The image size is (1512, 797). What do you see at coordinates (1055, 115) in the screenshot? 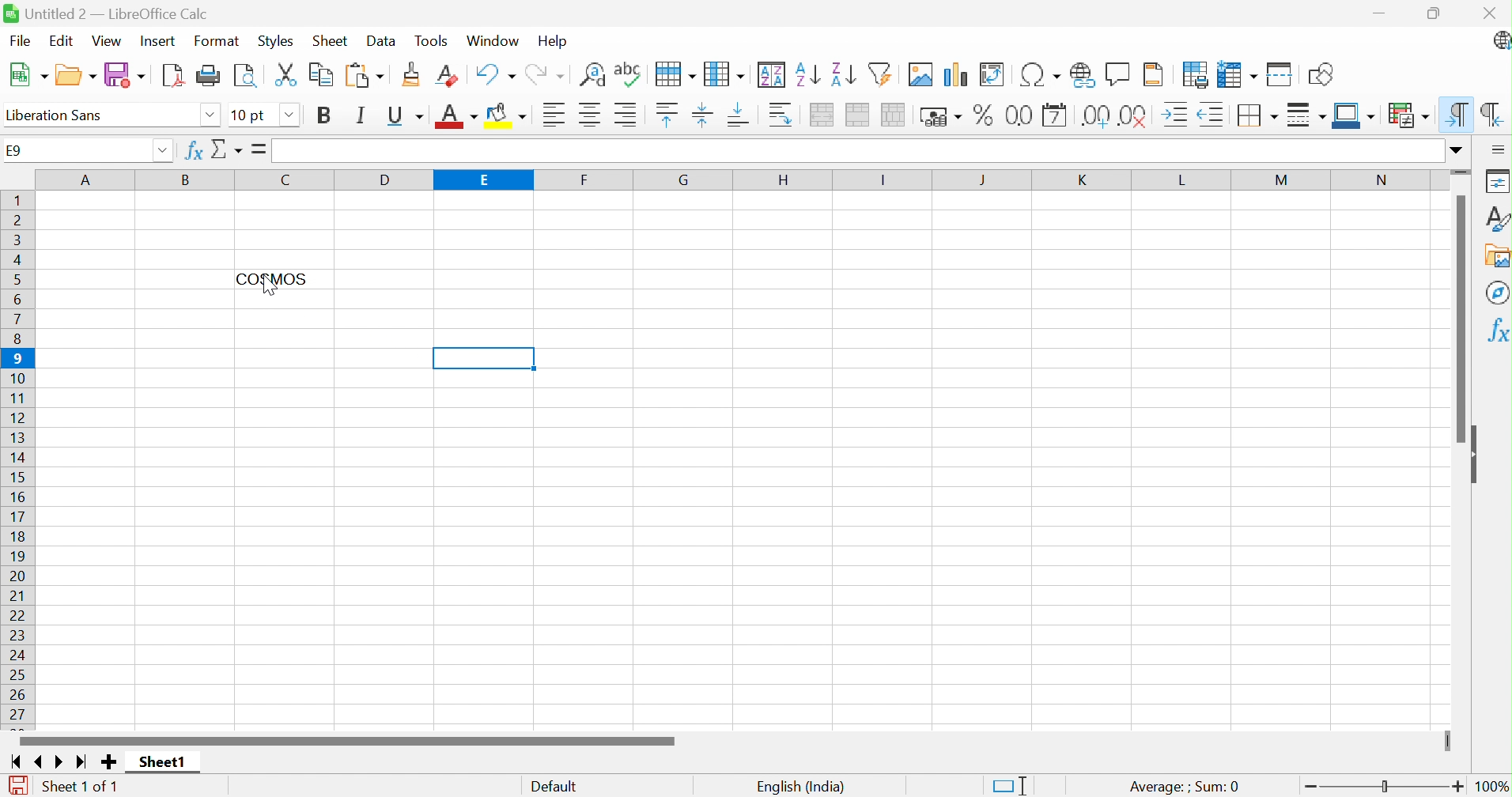
I see `Format as date` at bounding box center [1055, 115].